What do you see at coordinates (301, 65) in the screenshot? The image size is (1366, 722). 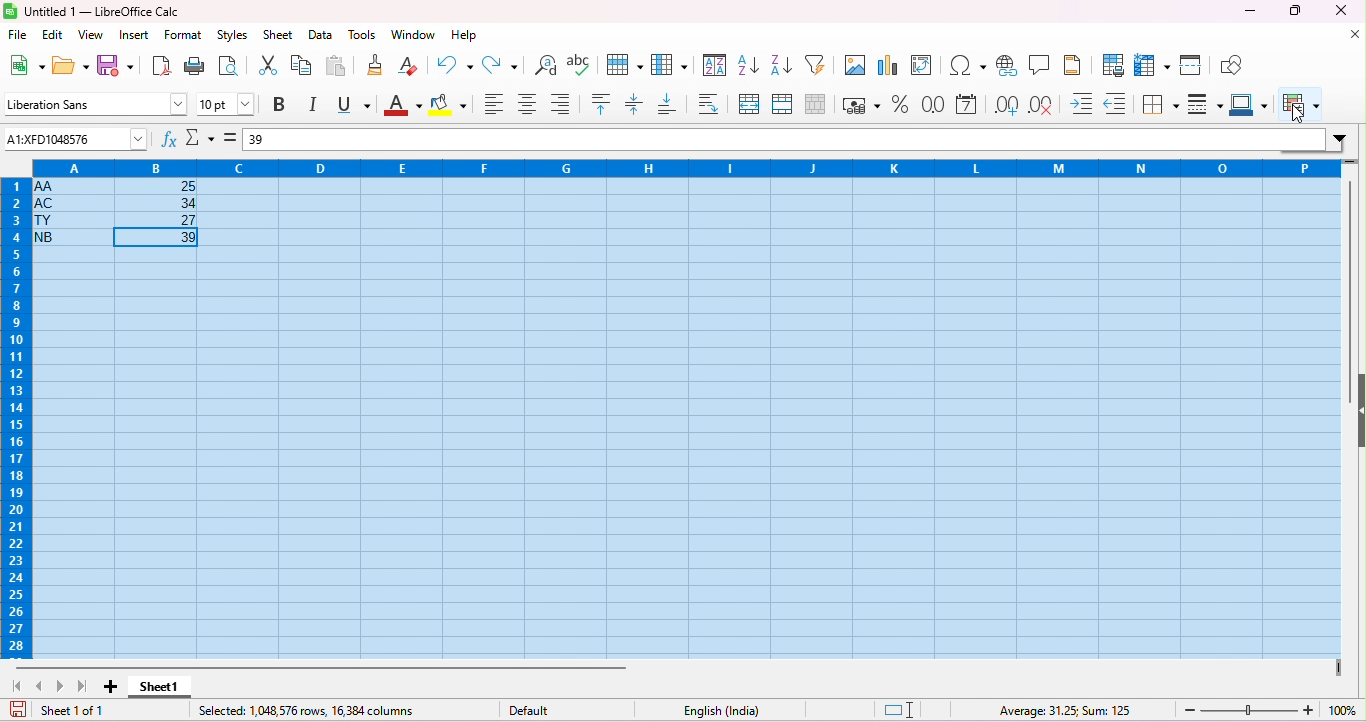 I see `copy` at bounding box center [301, 65].